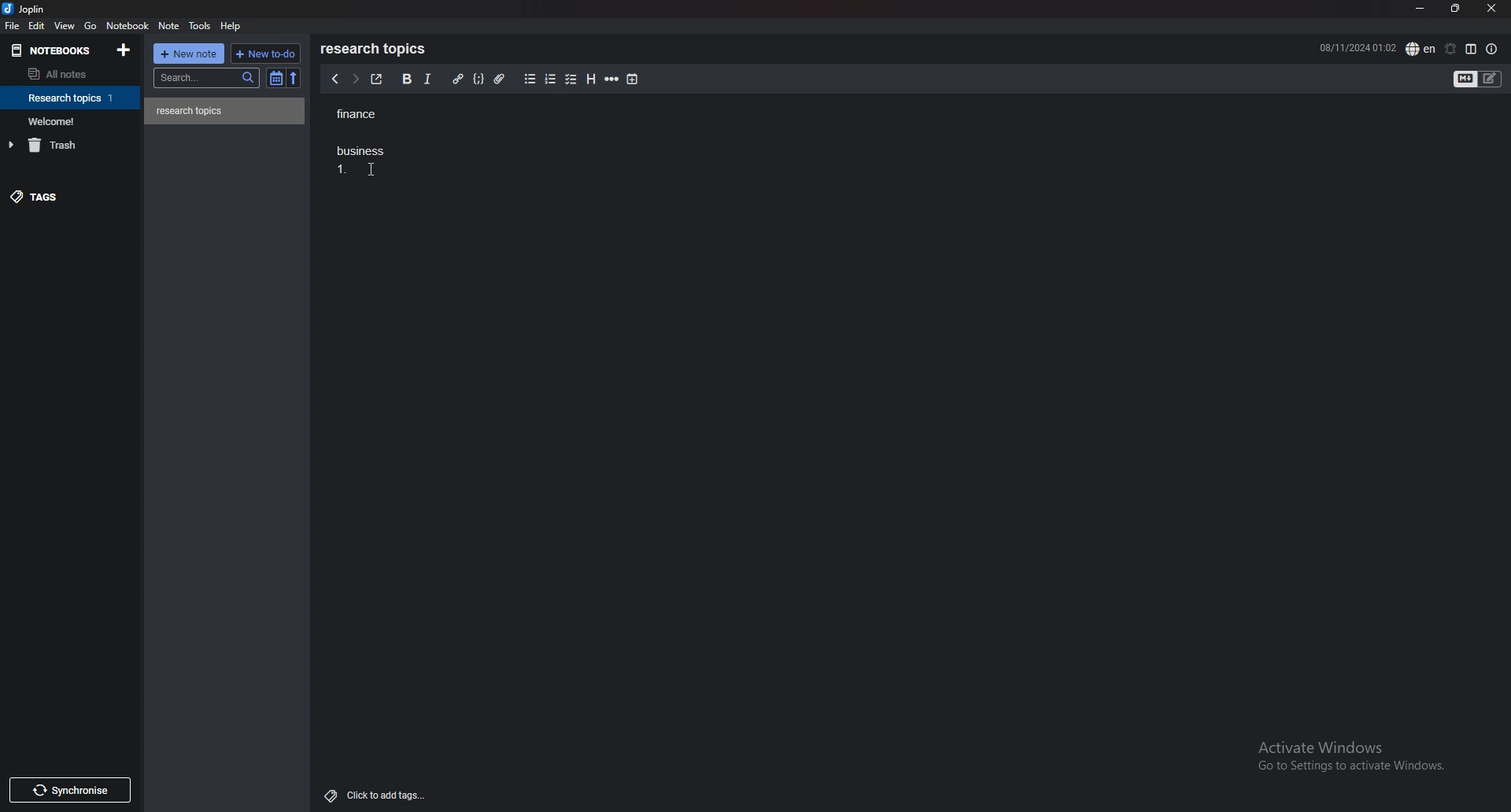  Describe the element at coordinates (67, 200) in the screenshot. I see `tags` at that location.